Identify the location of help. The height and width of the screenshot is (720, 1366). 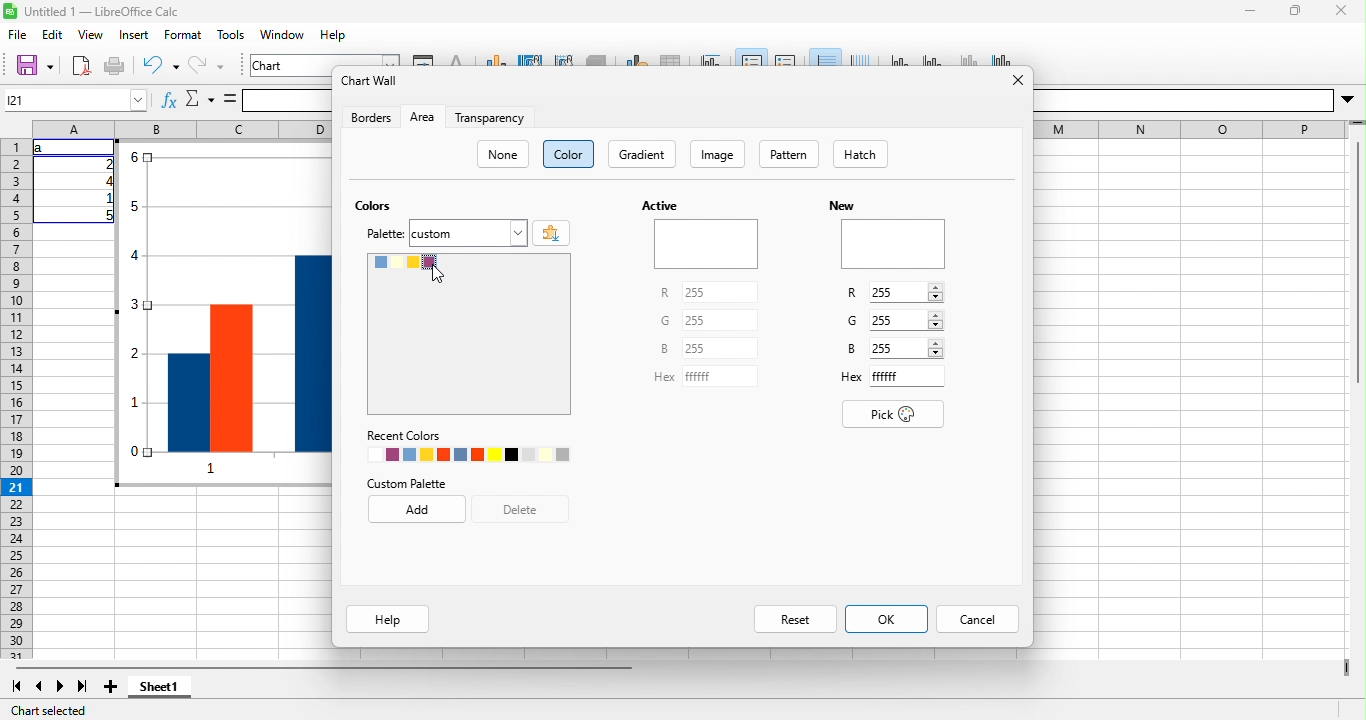
(333, 34).